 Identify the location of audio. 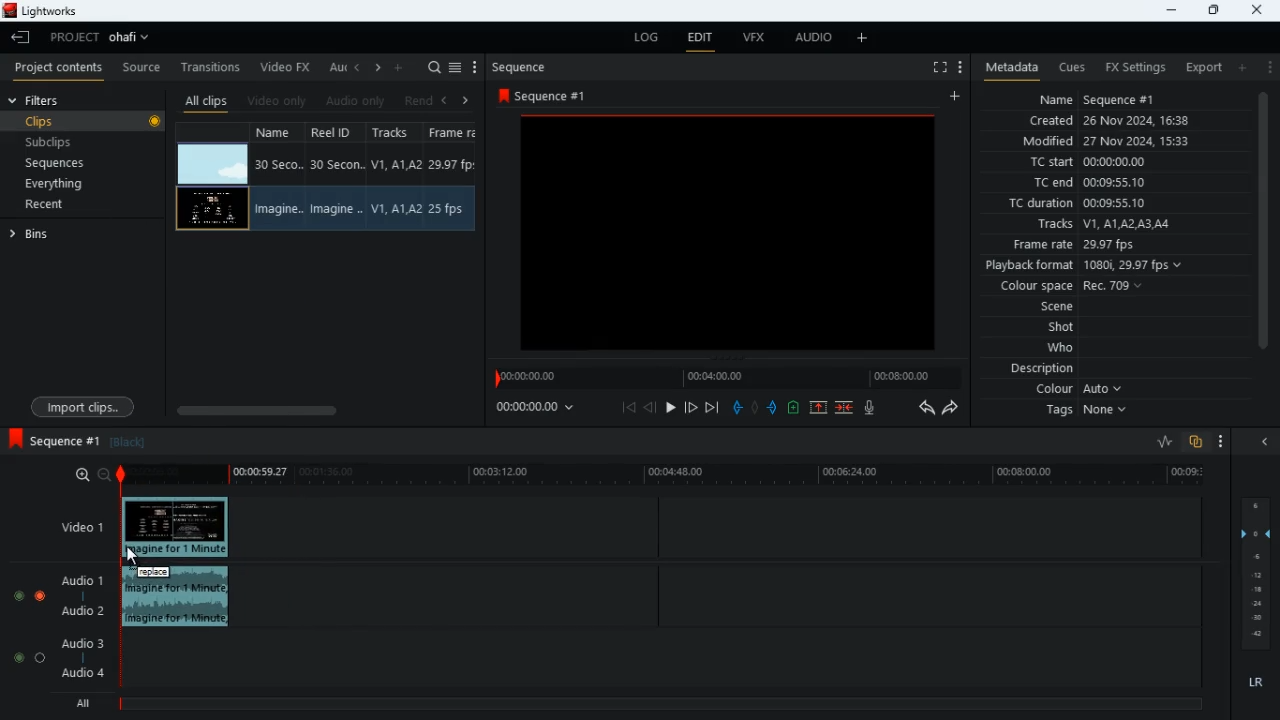
(814, 40).